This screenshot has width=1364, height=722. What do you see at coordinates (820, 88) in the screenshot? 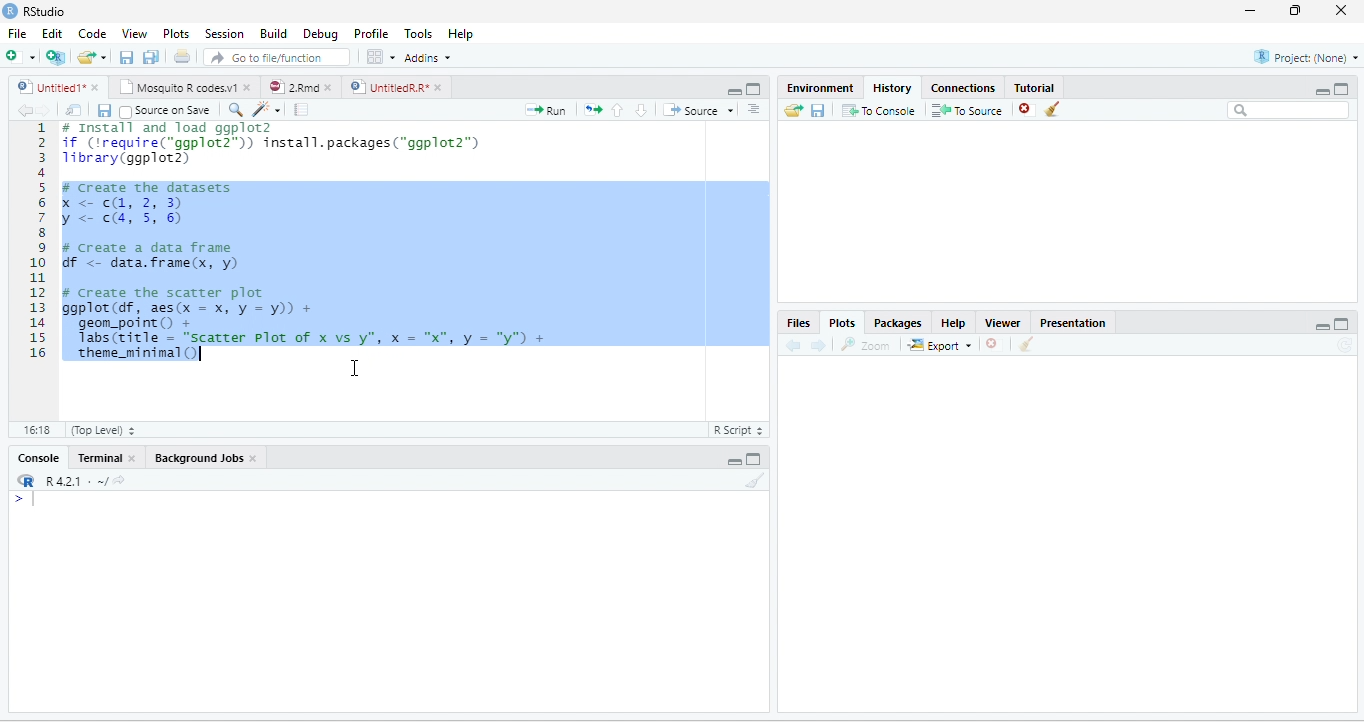
I see `Environment` at bounding box center [820, 88].